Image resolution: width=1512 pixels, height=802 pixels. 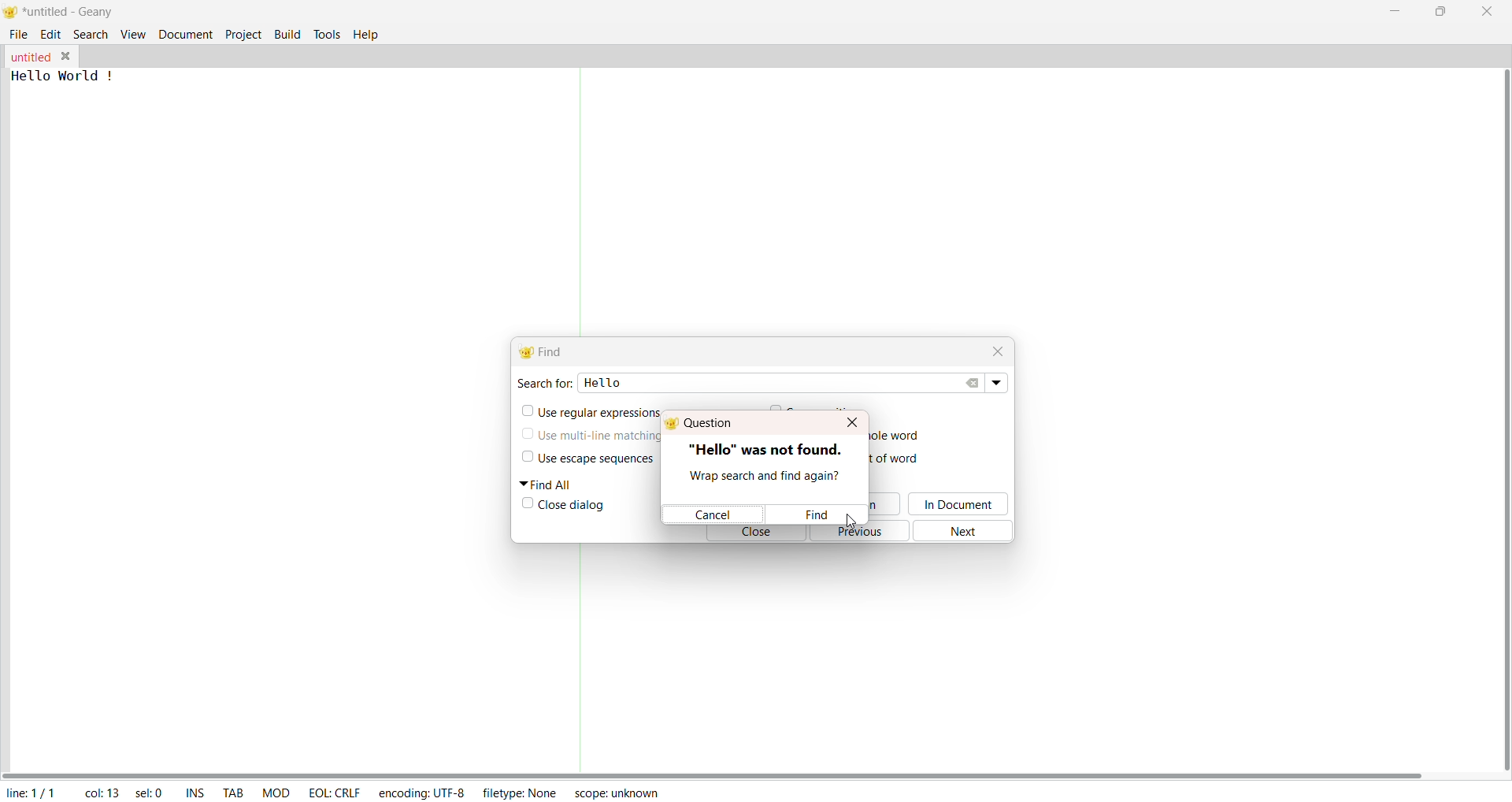 I want to click on Hello, so click(x=613, y=385).